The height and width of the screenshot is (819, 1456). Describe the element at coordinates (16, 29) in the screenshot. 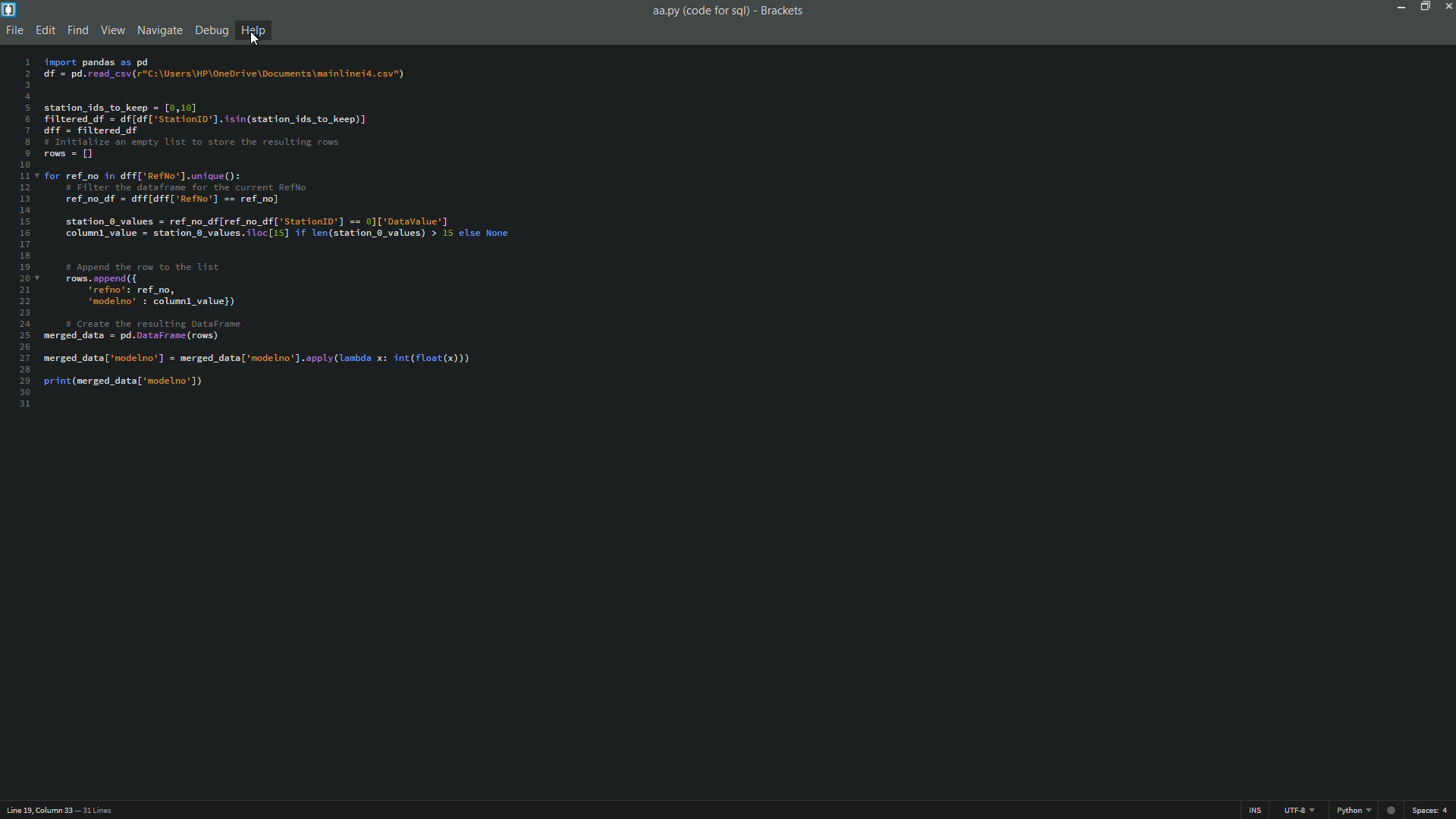

I see `file menu` at that location.